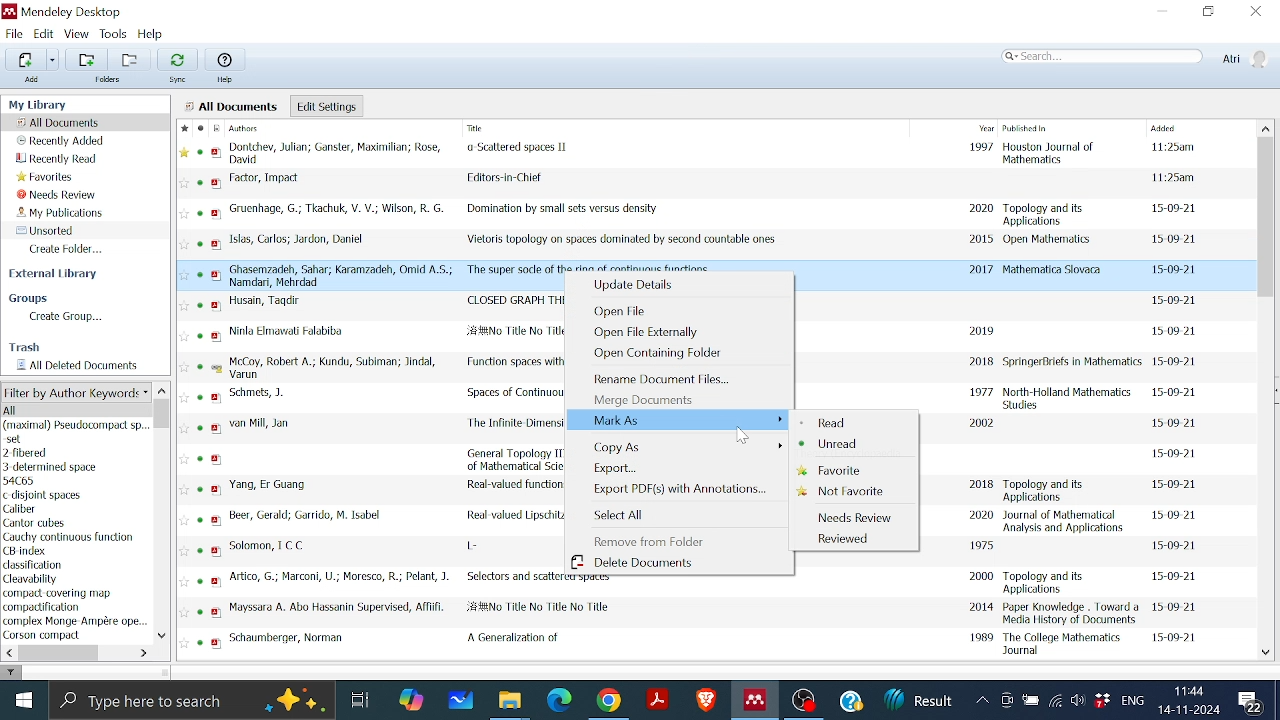 The image size is (1280, 720). What do you see at coordinates (1266, 128) in the screenshot?
I see `Move up in All files` at bounding box center [1266, 128].